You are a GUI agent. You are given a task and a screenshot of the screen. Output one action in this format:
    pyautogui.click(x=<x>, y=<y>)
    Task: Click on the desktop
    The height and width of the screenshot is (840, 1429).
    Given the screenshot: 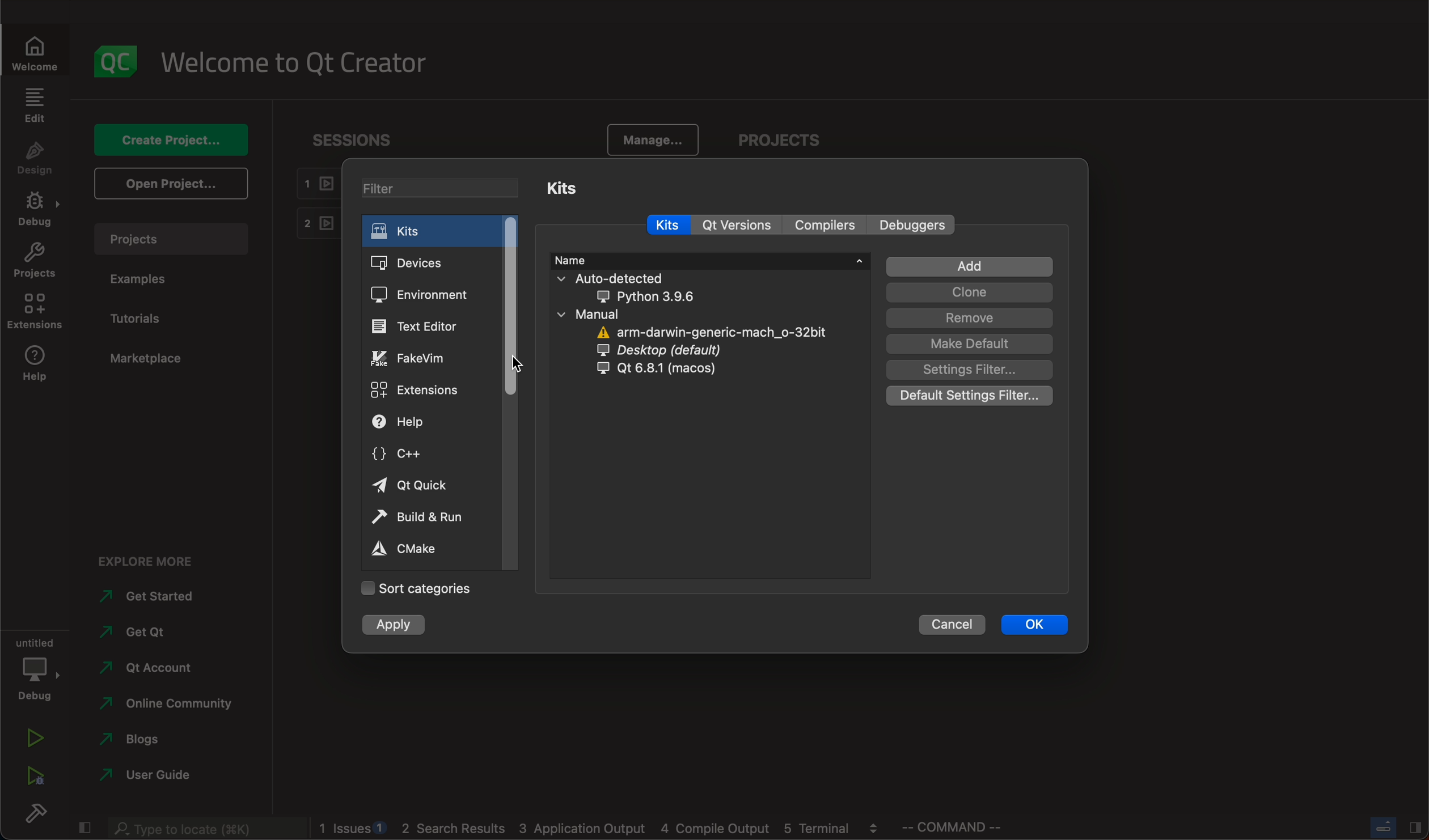 What is the action you would take?
    pyautogui.click(x=683, y=351)
    